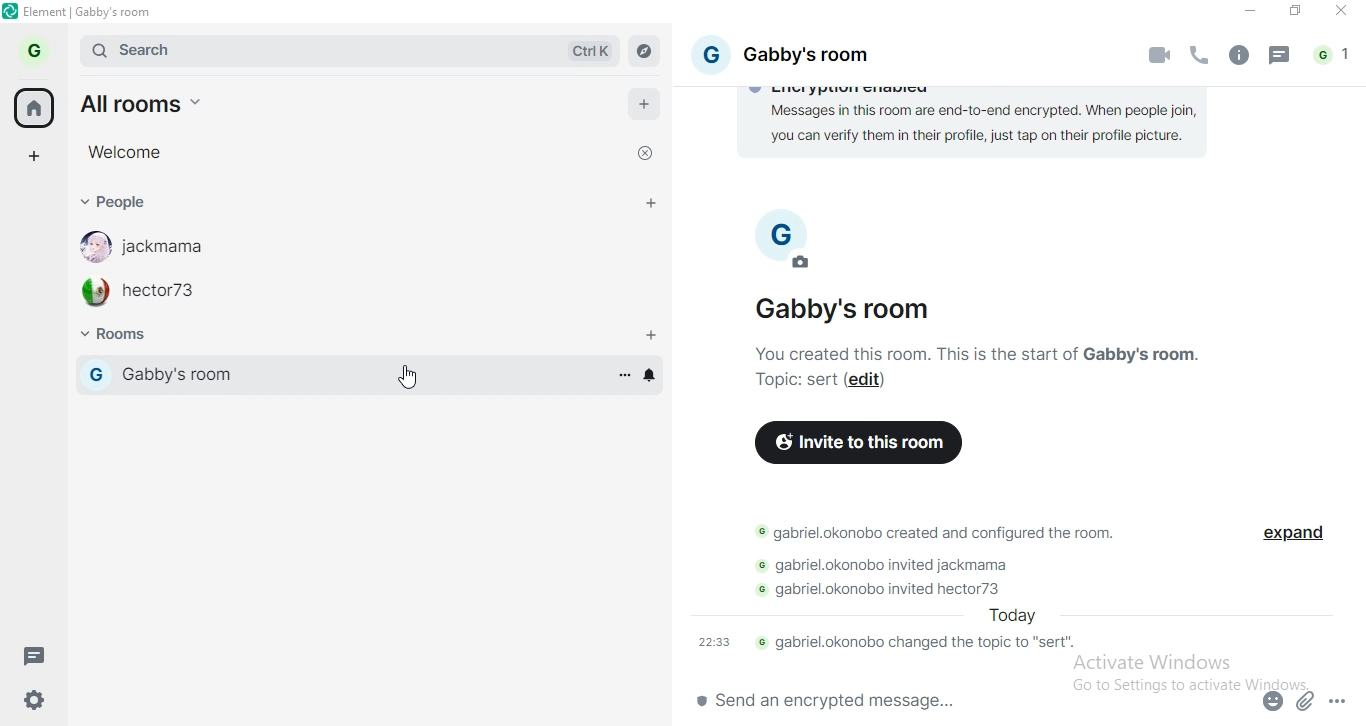  Describe the element at coordinates (709, 52) in the screenshot. I see `G` at that location.